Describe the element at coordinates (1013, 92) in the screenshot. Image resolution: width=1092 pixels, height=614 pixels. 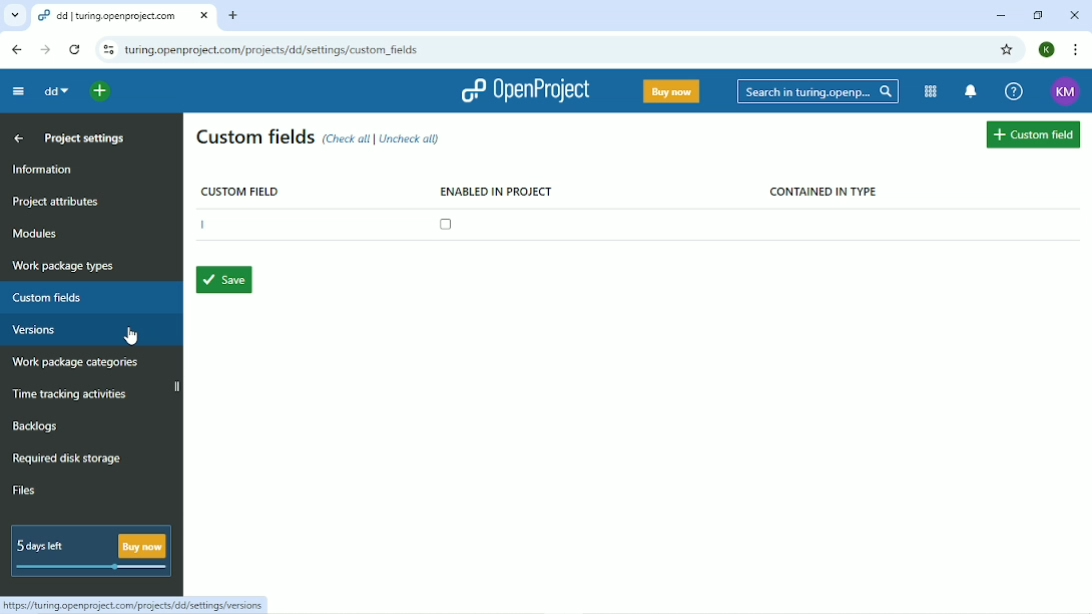
I see `Help` at that location.